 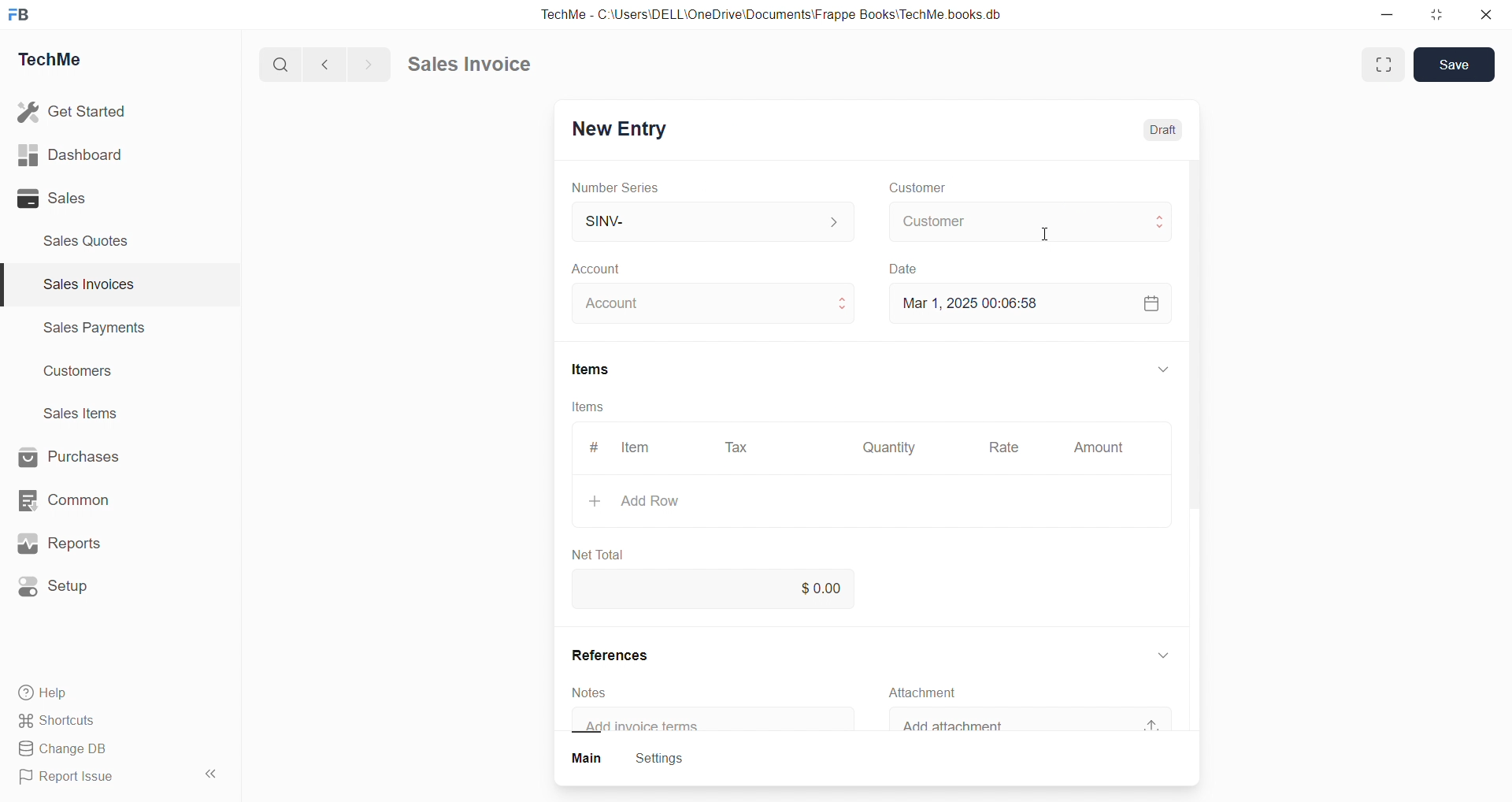 What do you see at coordinates (212, 771) in the screenshot?
I see `«` at bounding box center [212, 771].